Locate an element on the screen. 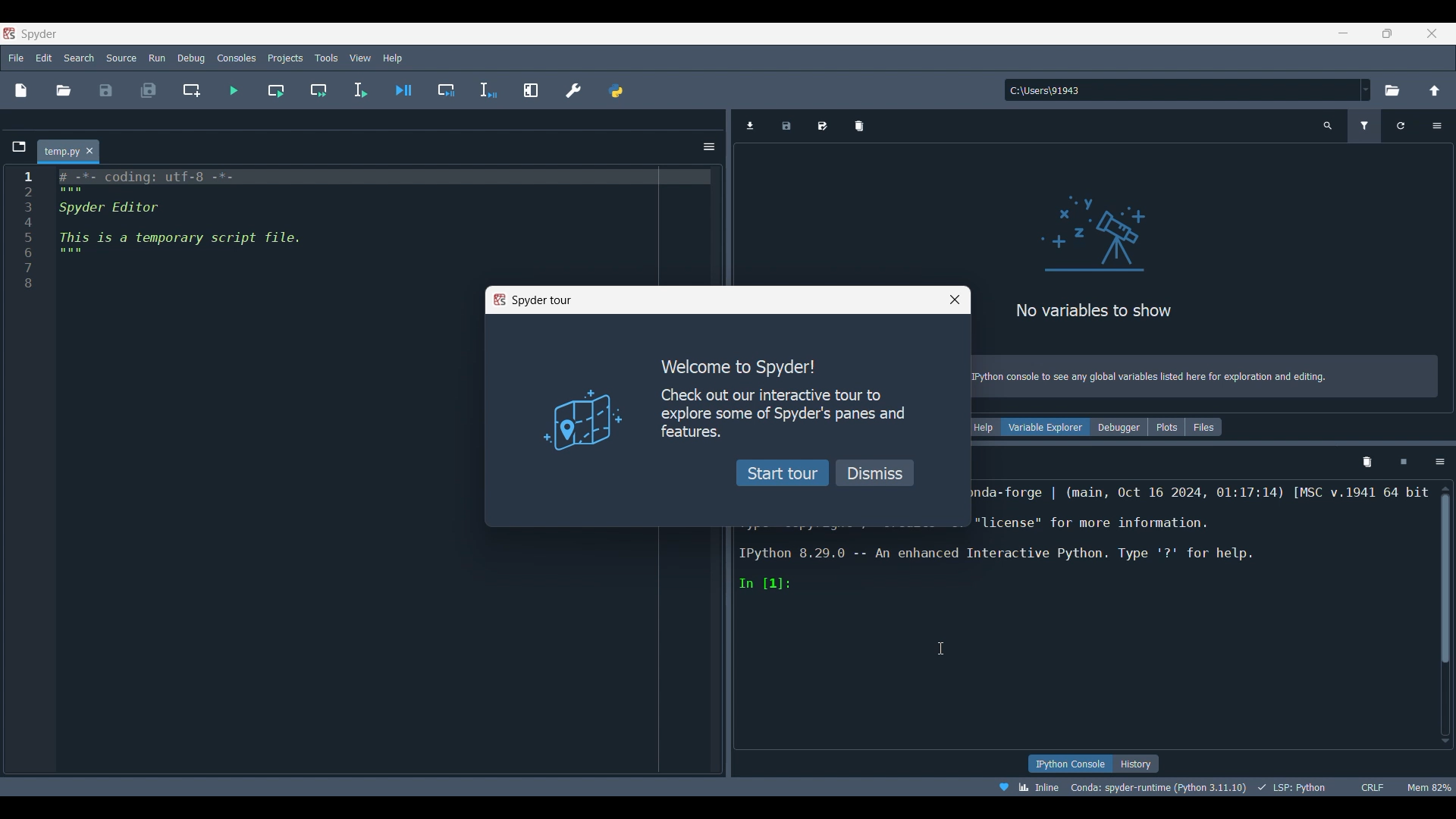 The width and height of the screenshot is (1456, 819). Remove all variables from namespace is located at coordinates (1367, 127).